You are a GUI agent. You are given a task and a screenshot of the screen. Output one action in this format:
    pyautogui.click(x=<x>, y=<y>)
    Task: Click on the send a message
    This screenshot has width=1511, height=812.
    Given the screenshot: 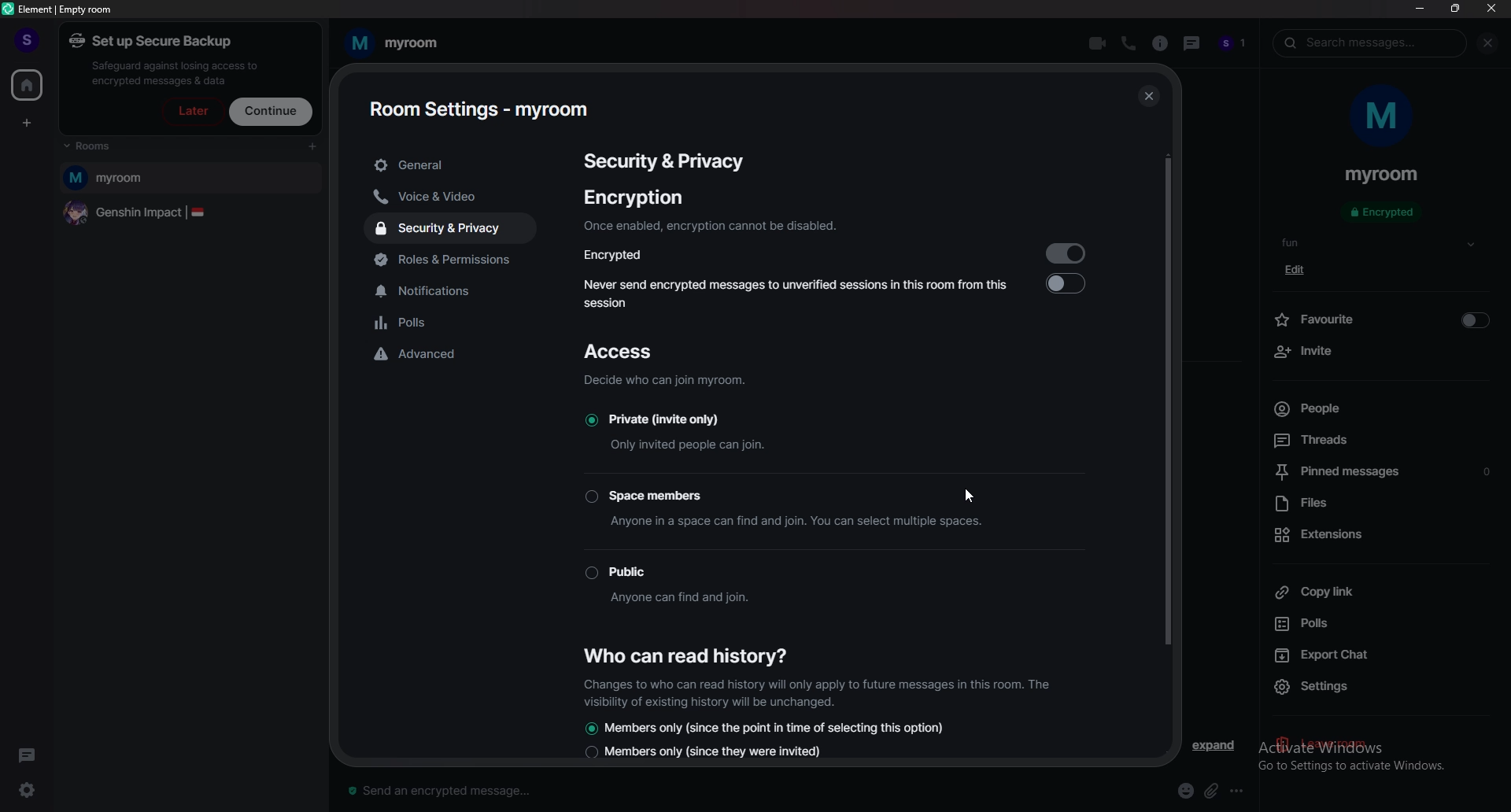 What is the action you would take?
    pyautogui.click(x=484, y=790)
    